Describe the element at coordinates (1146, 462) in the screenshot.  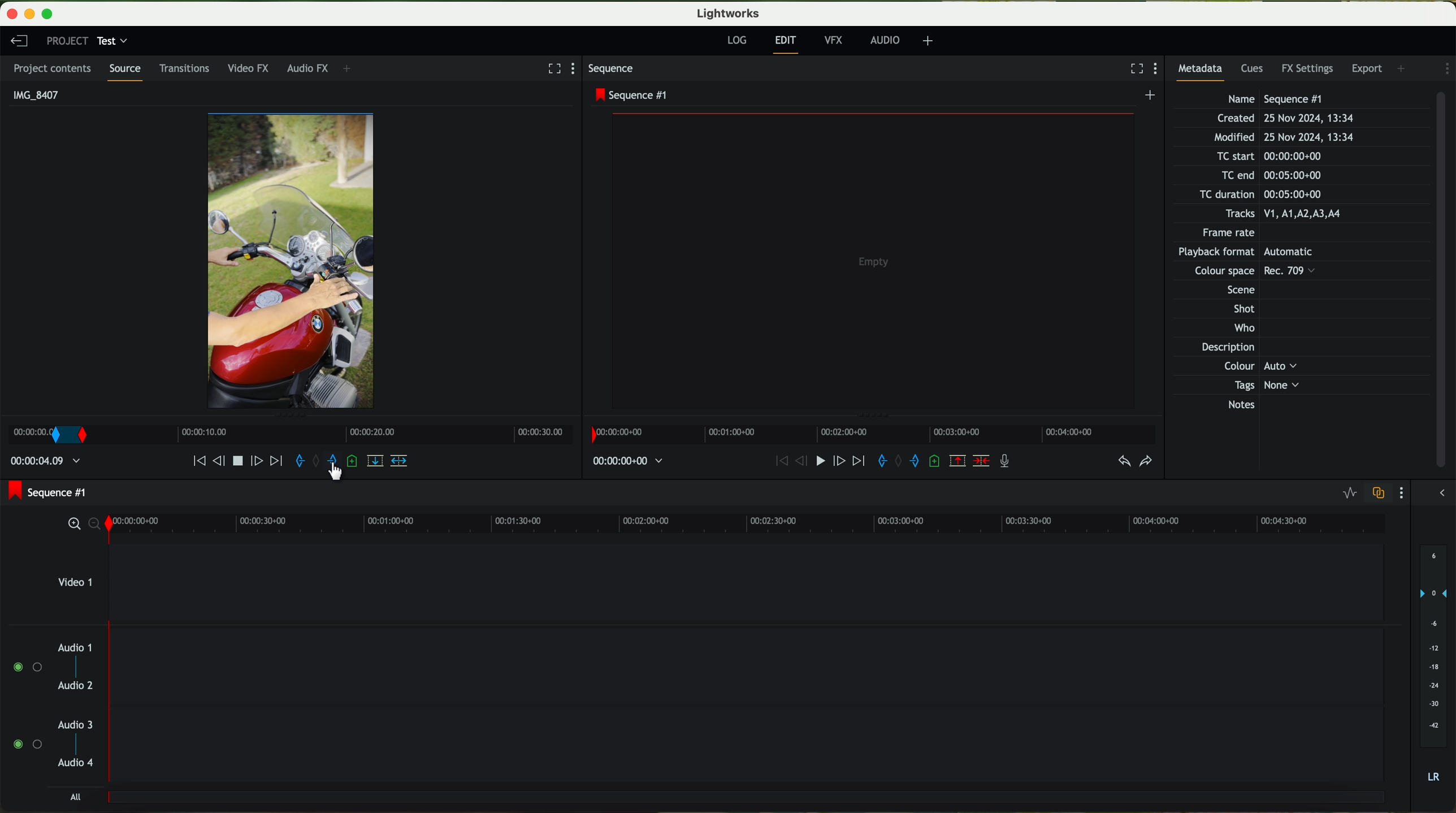
I see `redo` at that location.